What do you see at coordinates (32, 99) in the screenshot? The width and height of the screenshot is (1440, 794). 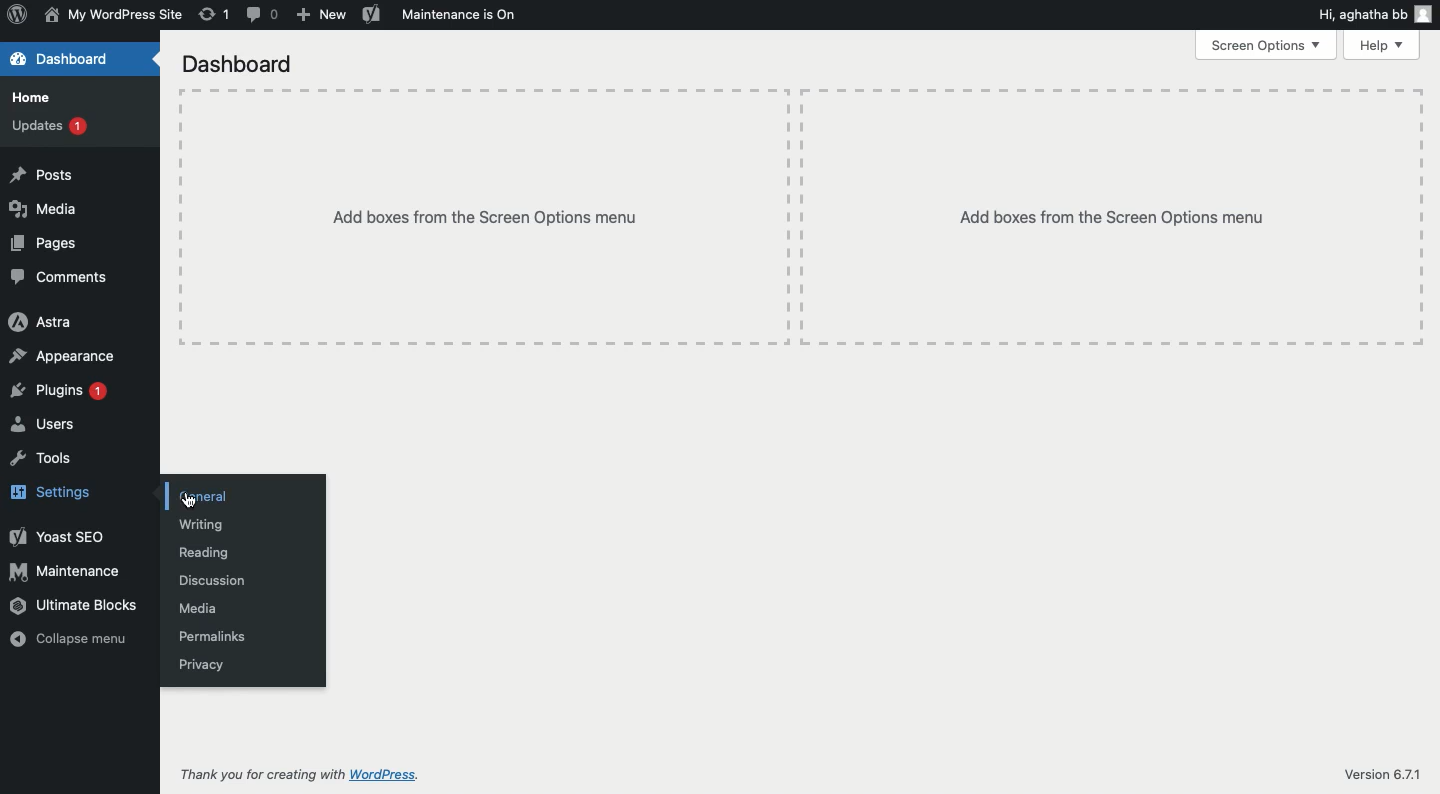 I see `Home` at bounding box center [32, 99].